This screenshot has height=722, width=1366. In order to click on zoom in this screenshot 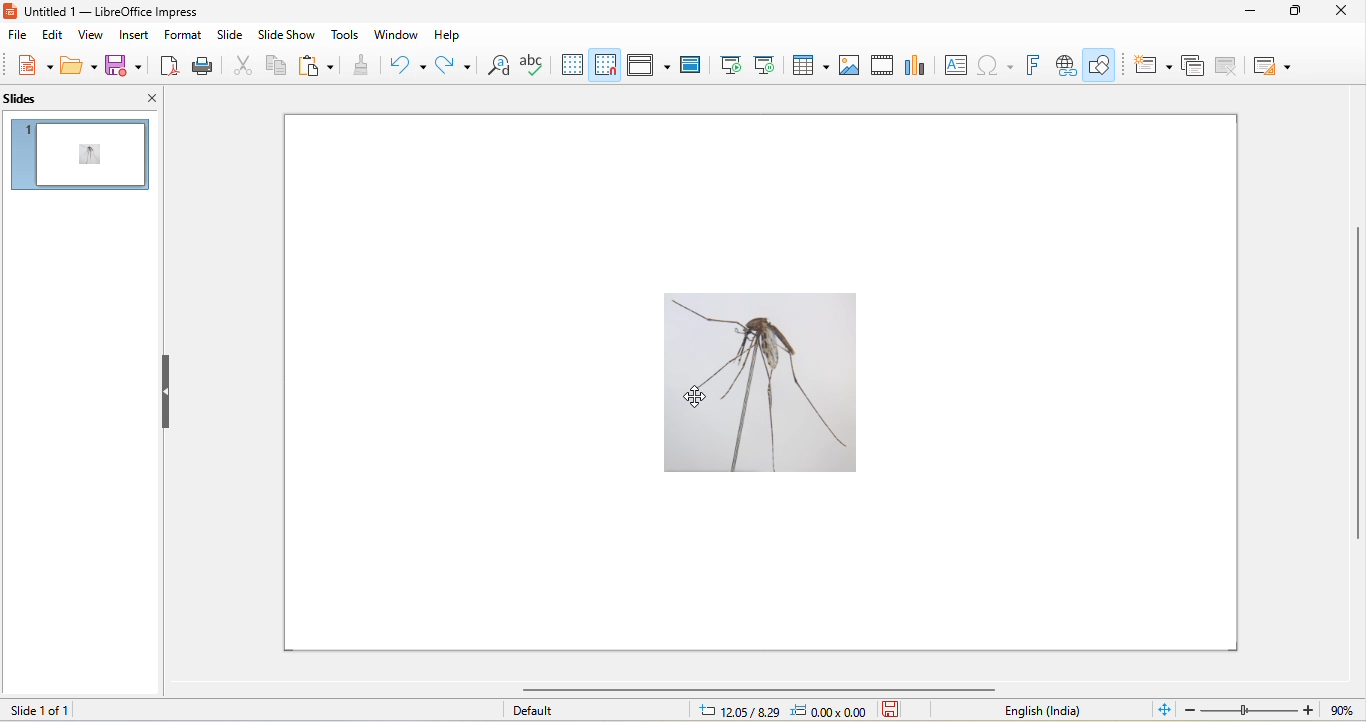, I will do `click(1274, 709)`.